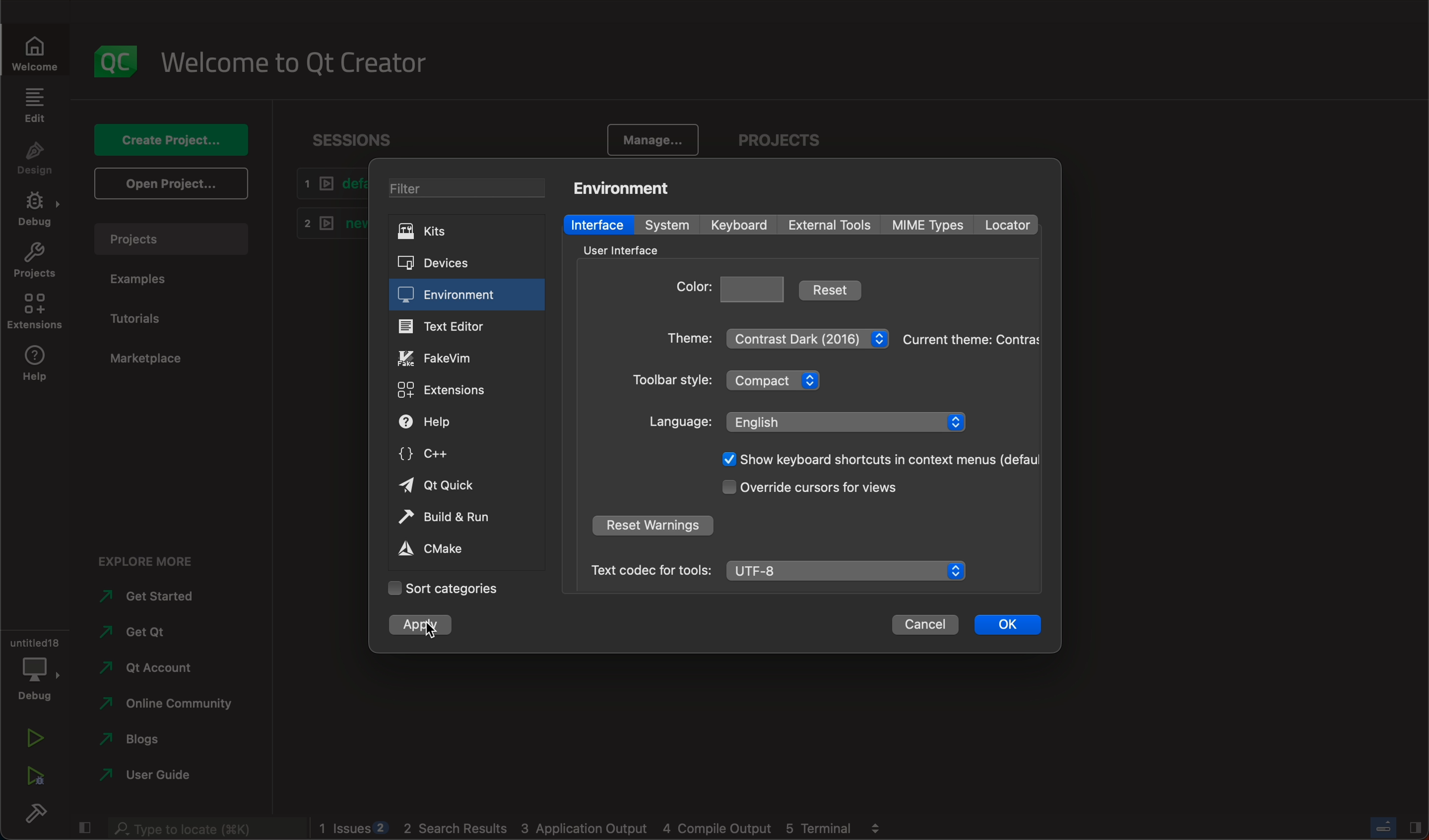 The height and width of the screenshot is (840, 1429). Describe the element at coordinates (414, 625) in the screenshot. I see `selected` at that location.